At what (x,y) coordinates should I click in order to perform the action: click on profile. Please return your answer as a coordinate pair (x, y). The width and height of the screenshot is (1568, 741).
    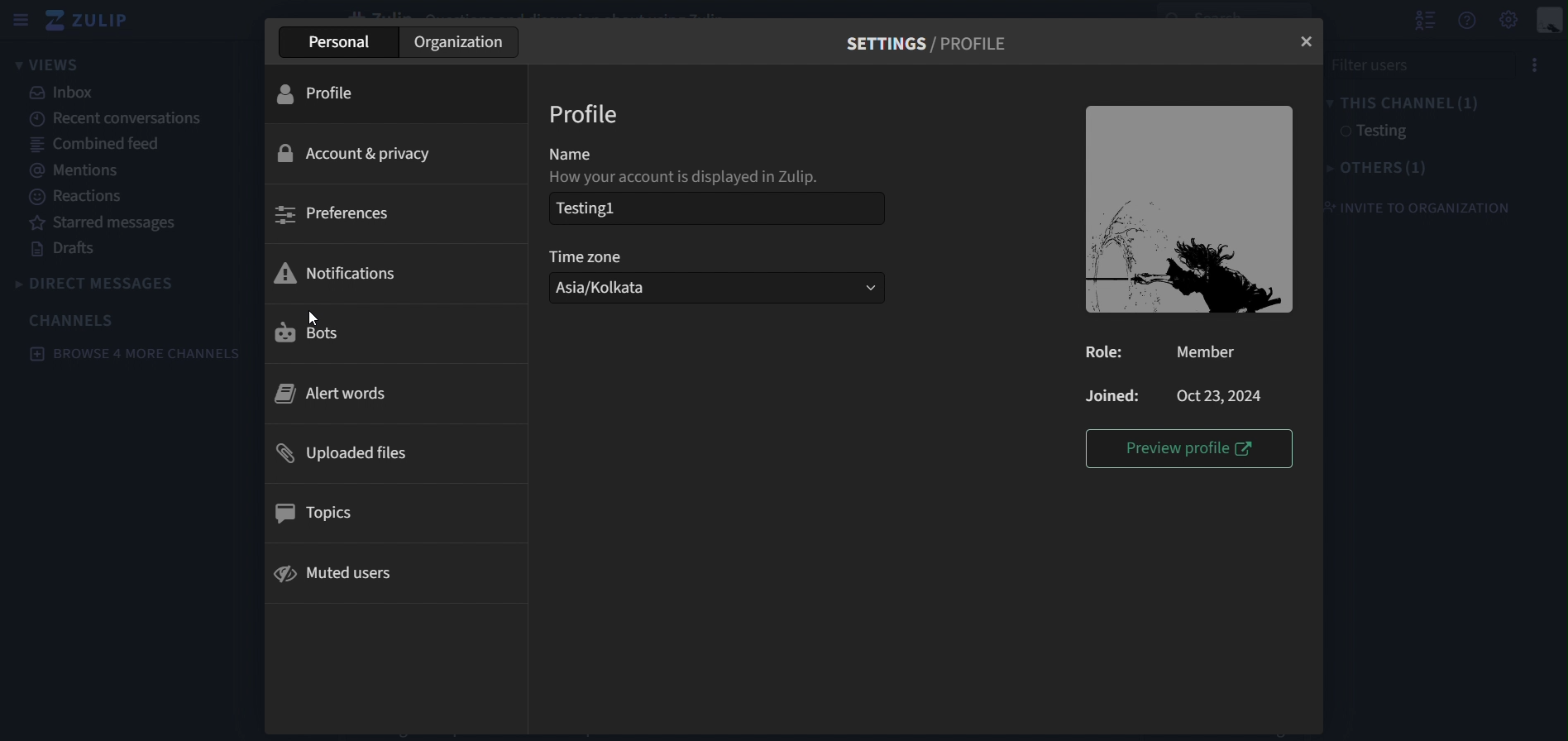
    Looking at the image, I should click on (587, 112).